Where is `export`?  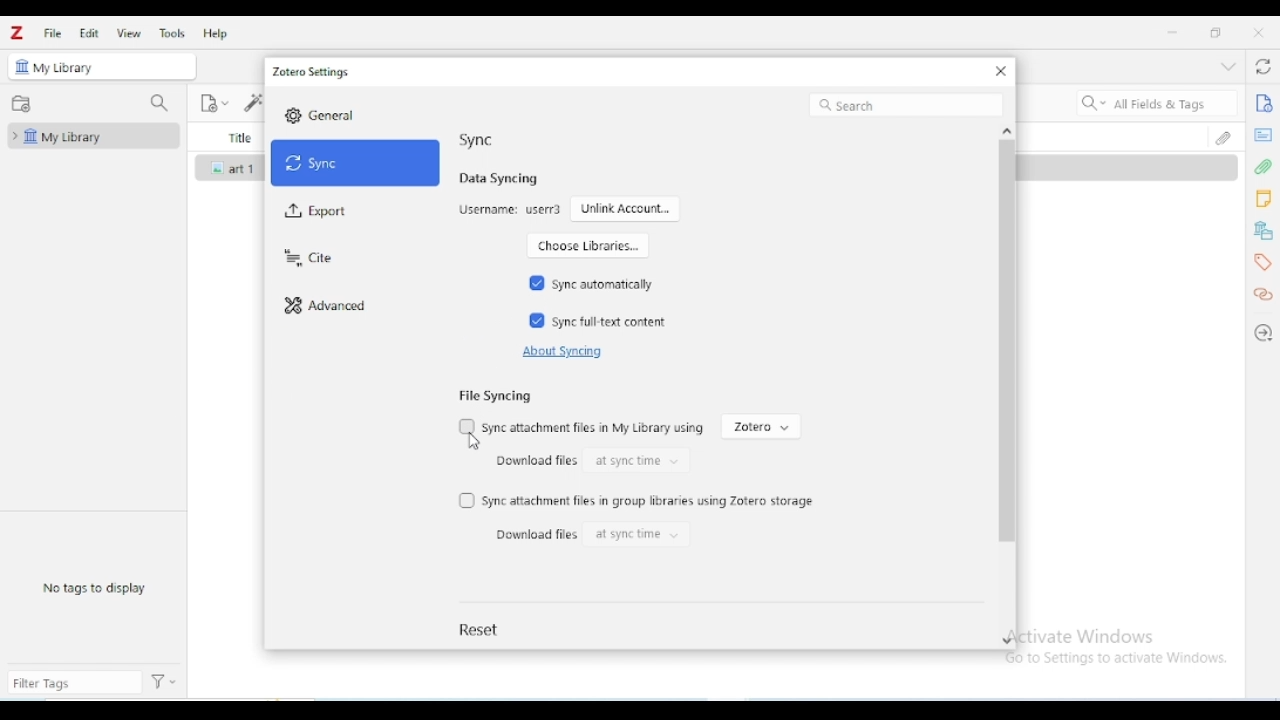 export is located at coordinates (317, 212).